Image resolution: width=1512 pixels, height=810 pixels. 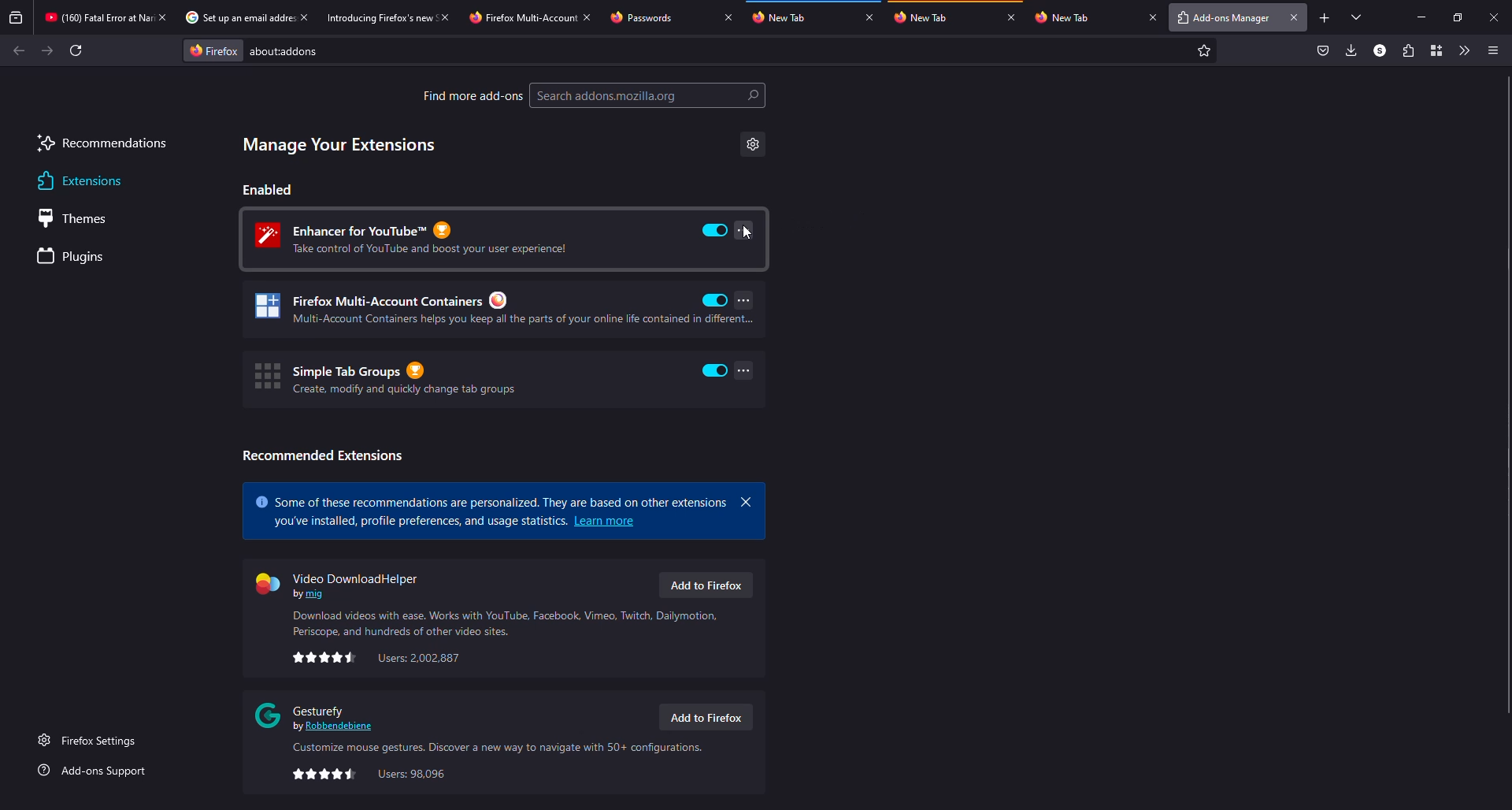 What do you see at coordinates (77, 181) in the screenshot?
I see `extensions` at bounding box center [77, 181].